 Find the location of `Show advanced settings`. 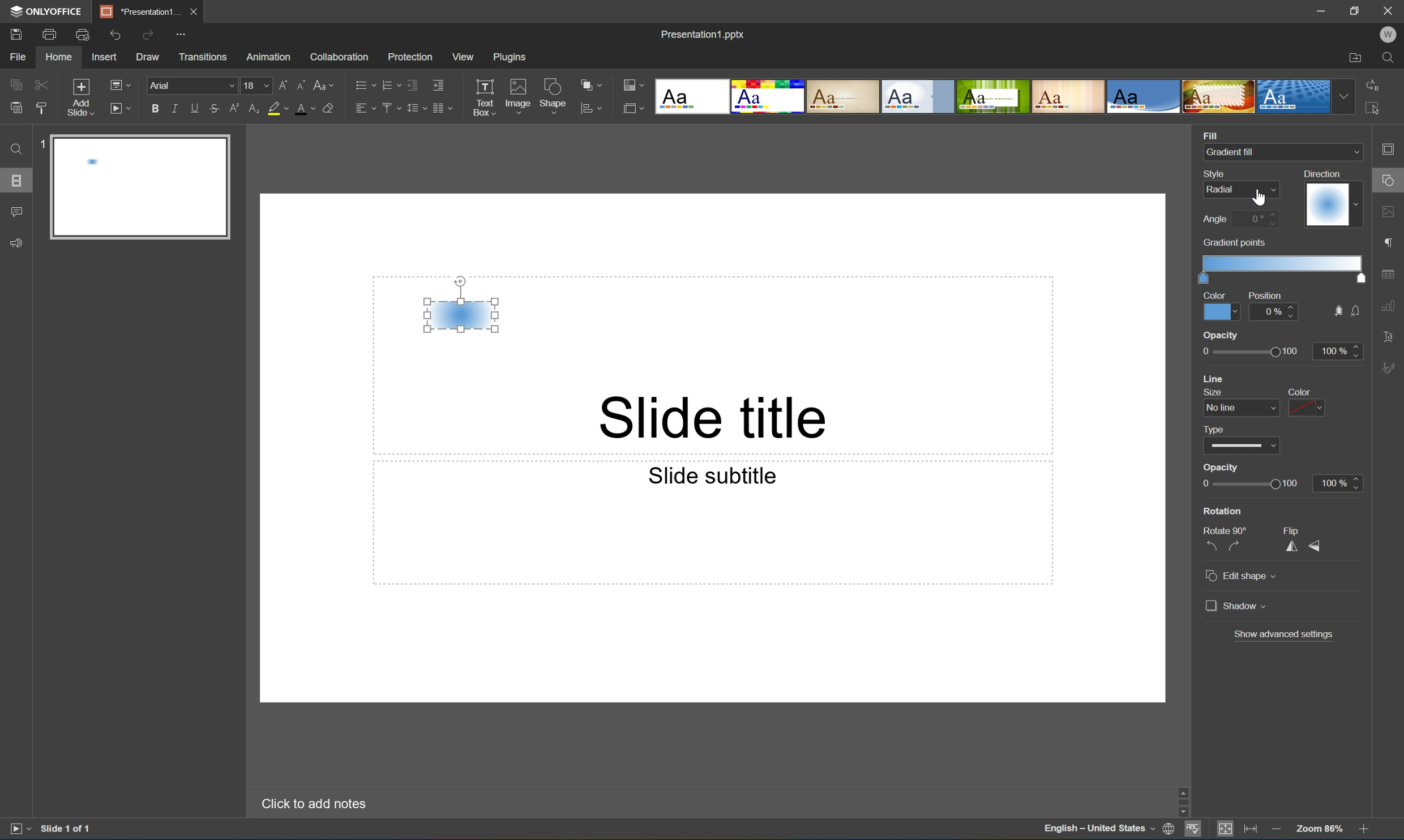

Show advanced settings is located at coordinates (1285, 633).